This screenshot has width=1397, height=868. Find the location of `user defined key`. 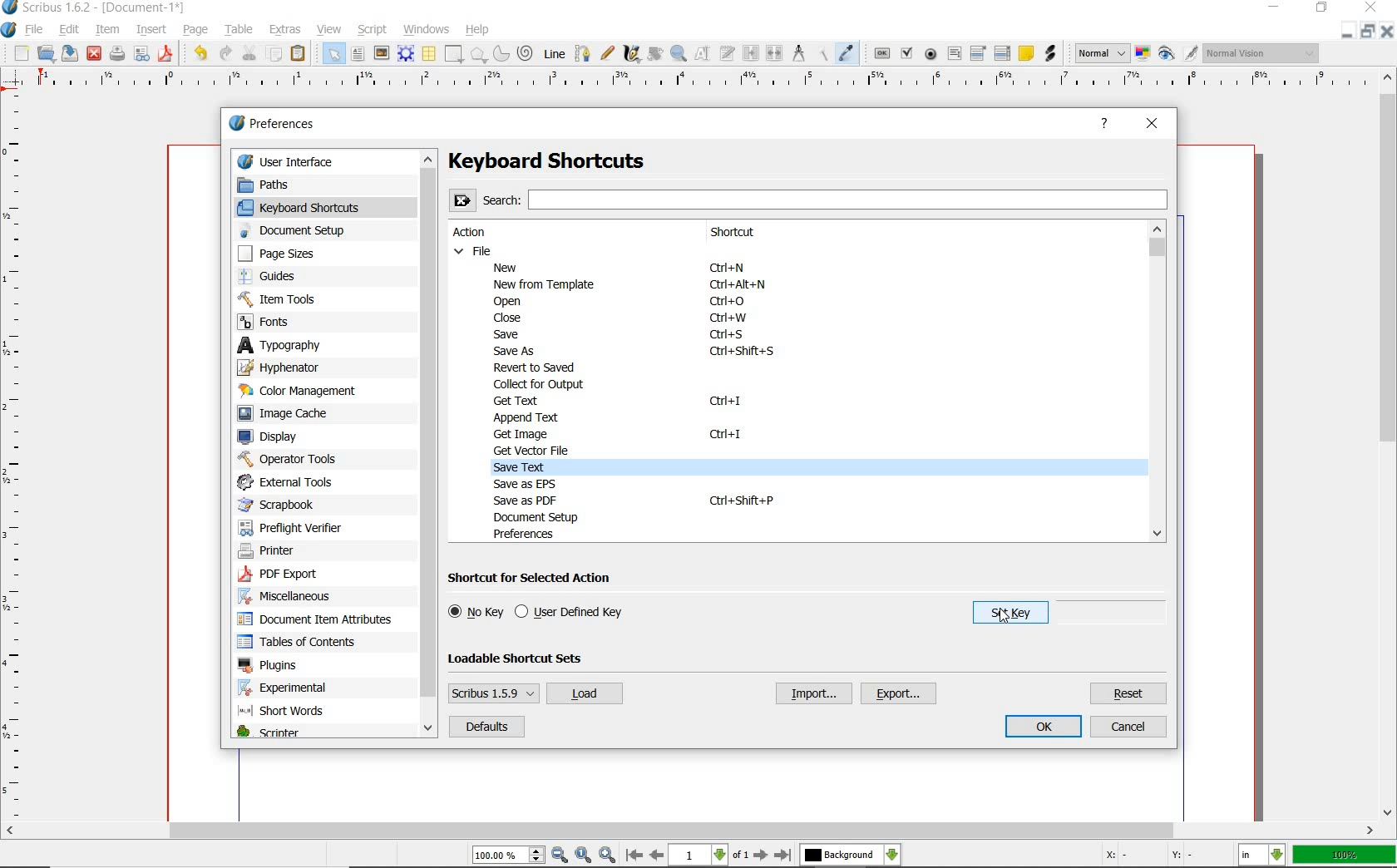

user defined key is located at coordinates (572, 613).